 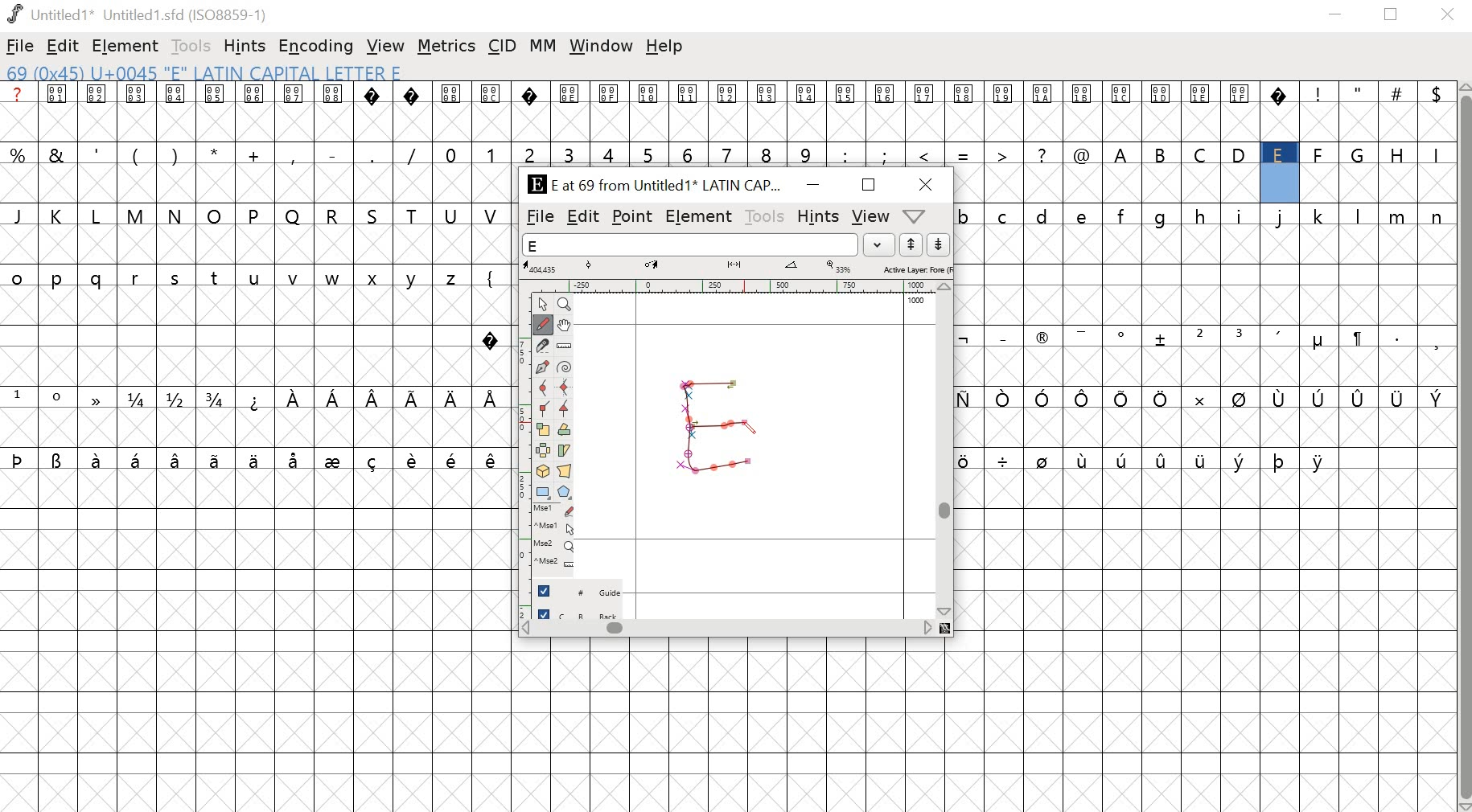 I want to click on 69 (0x45) U+0045 "E" LATIN CAPITAL Letter E, so click(x=208, y=74).